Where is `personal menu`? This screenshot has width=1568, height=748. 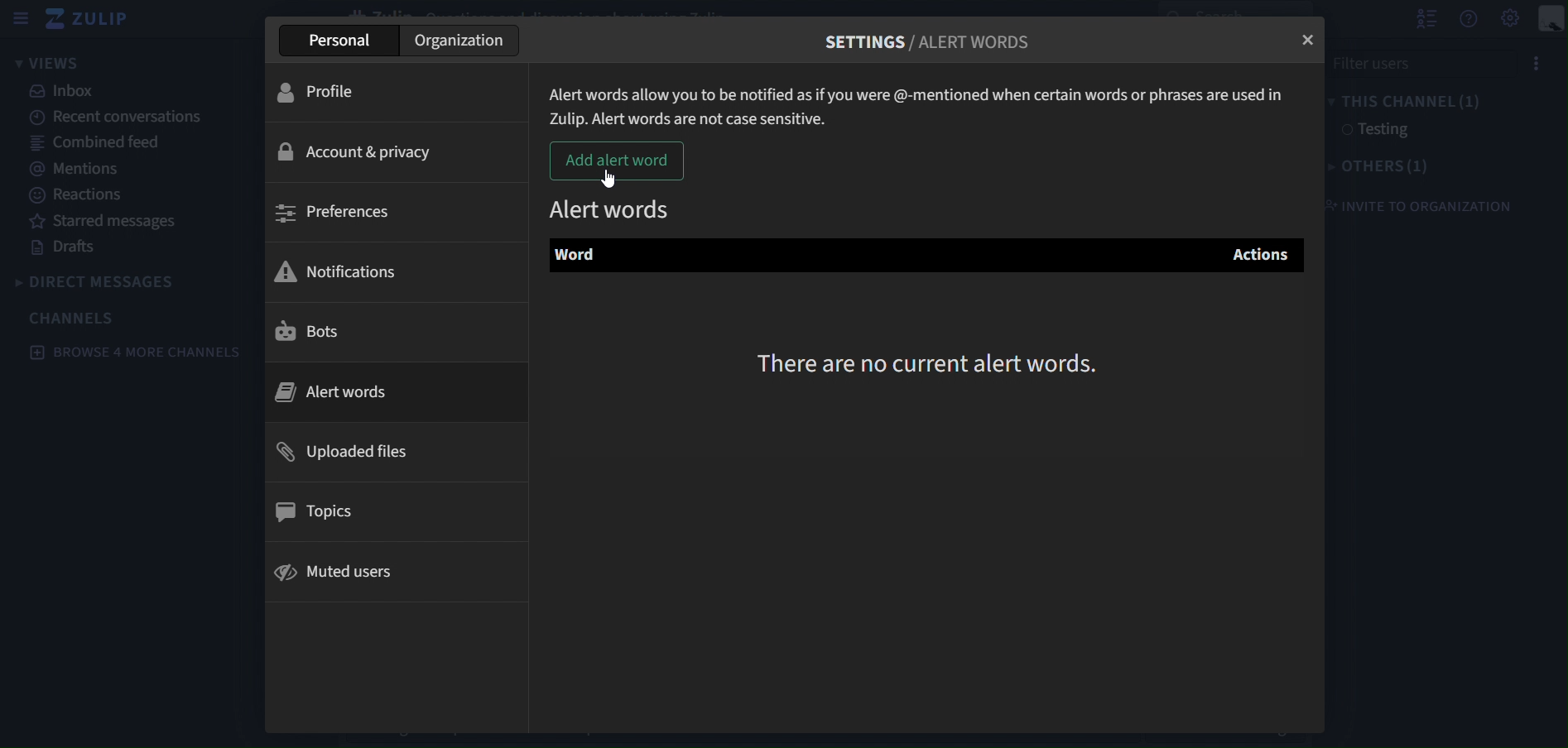 personal menu is located at coordinates (1551, 18).